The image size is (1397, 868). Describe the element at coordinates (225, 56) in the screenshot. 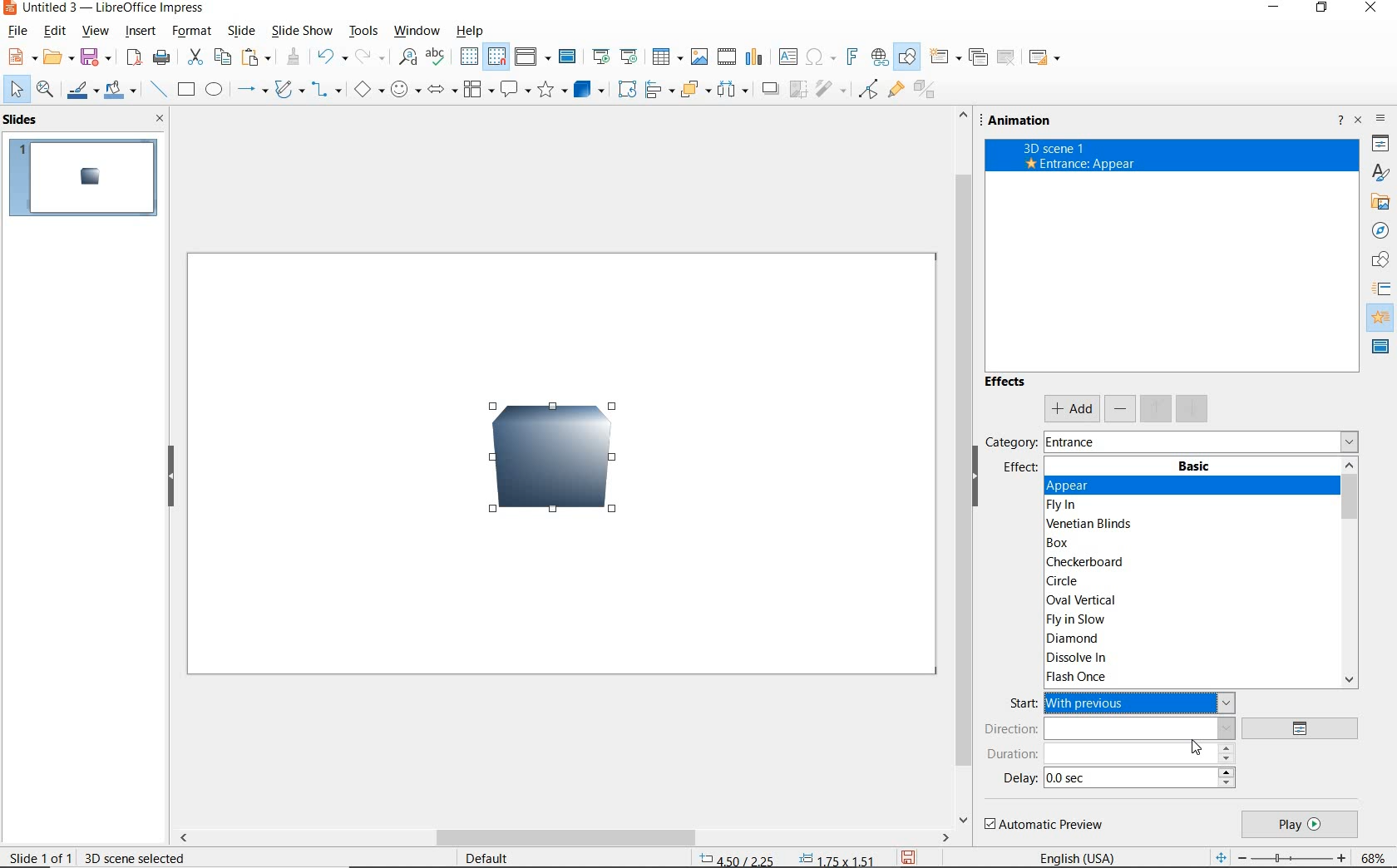

I see `copy` at that location.